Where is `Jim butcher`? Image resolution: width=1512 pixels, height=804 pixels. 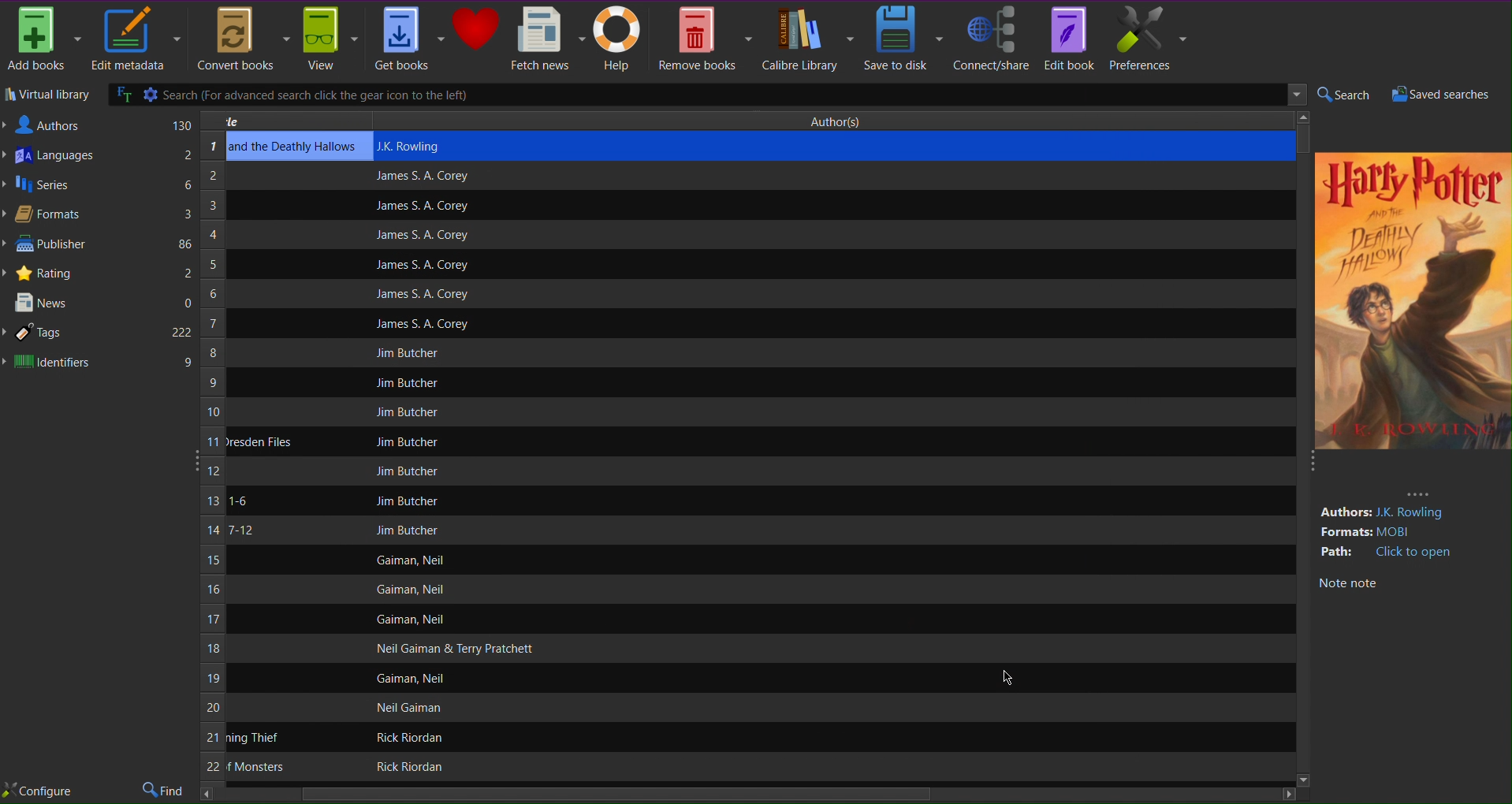 Jim butcher is located at coordinates (411, 352).